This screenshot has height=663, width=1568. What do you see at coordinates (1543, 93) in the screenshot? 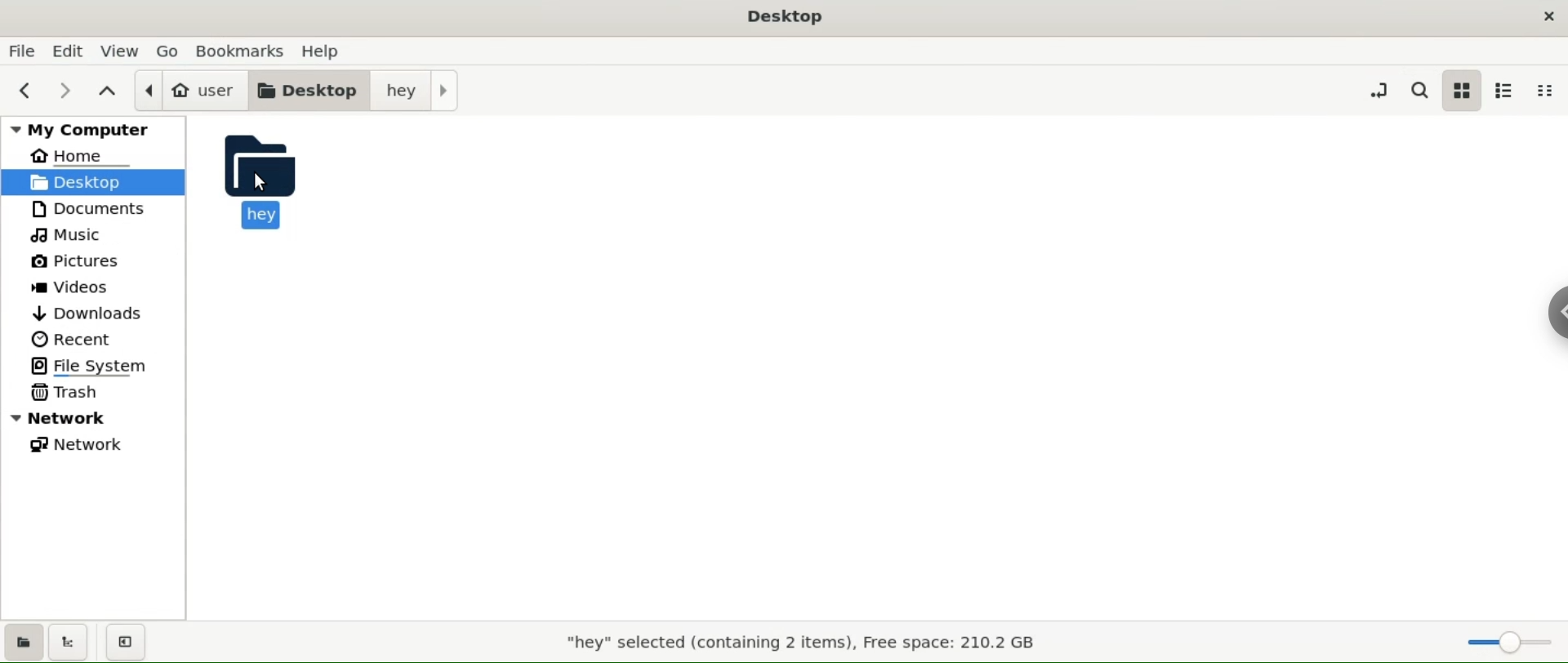
I see `compact view` at bounding box center [1543, 93].